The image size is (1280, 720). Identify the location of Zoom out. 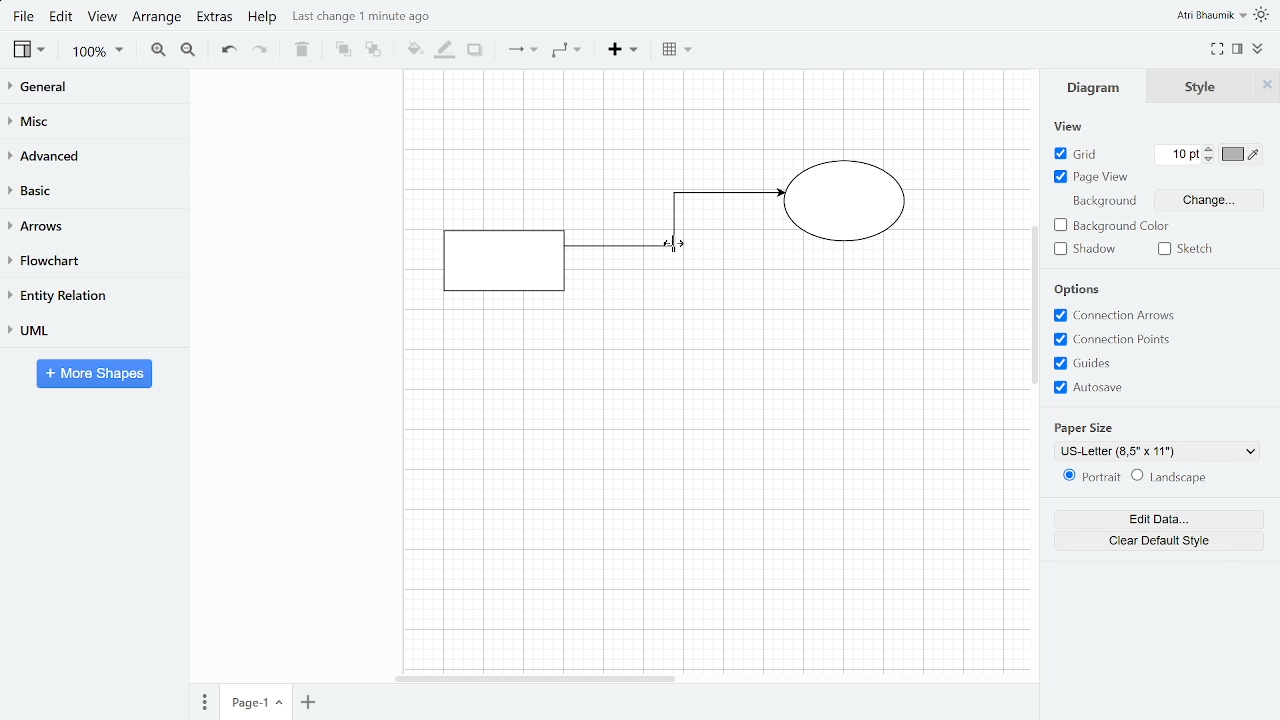
(189, 52).